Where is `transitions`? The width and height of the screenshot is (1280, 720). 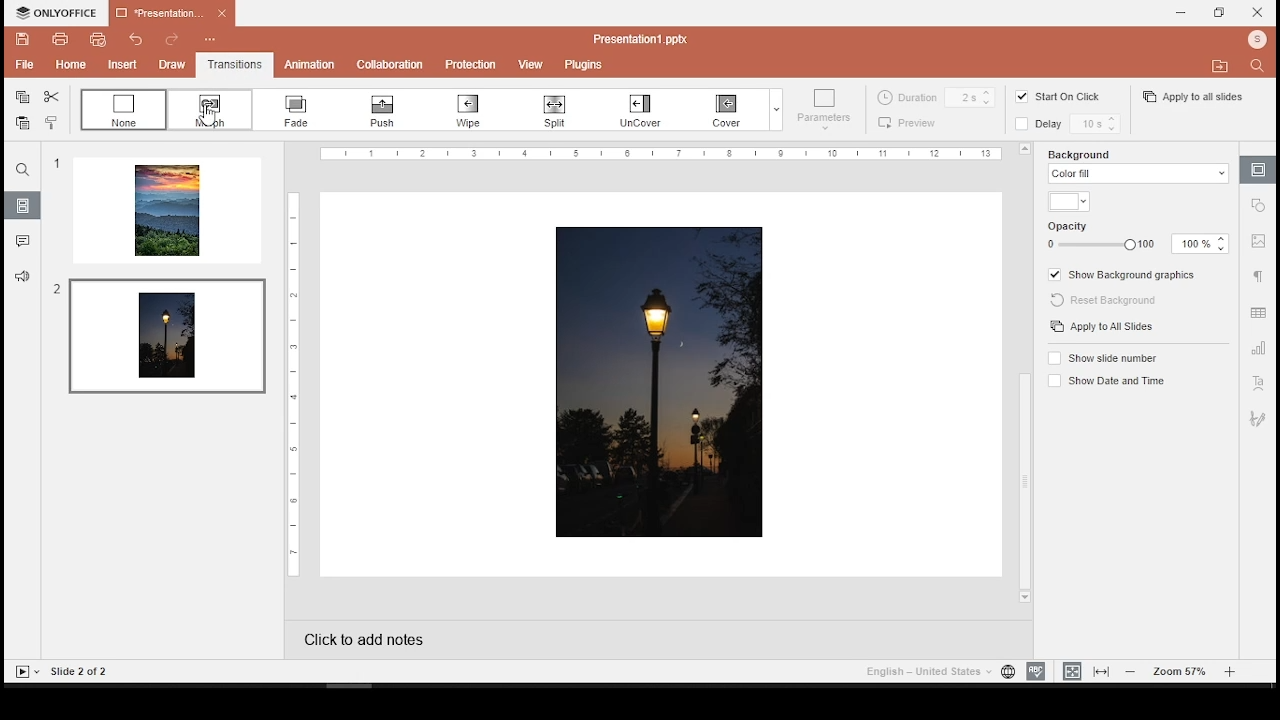 transitions is located at coordinates (232, 64).